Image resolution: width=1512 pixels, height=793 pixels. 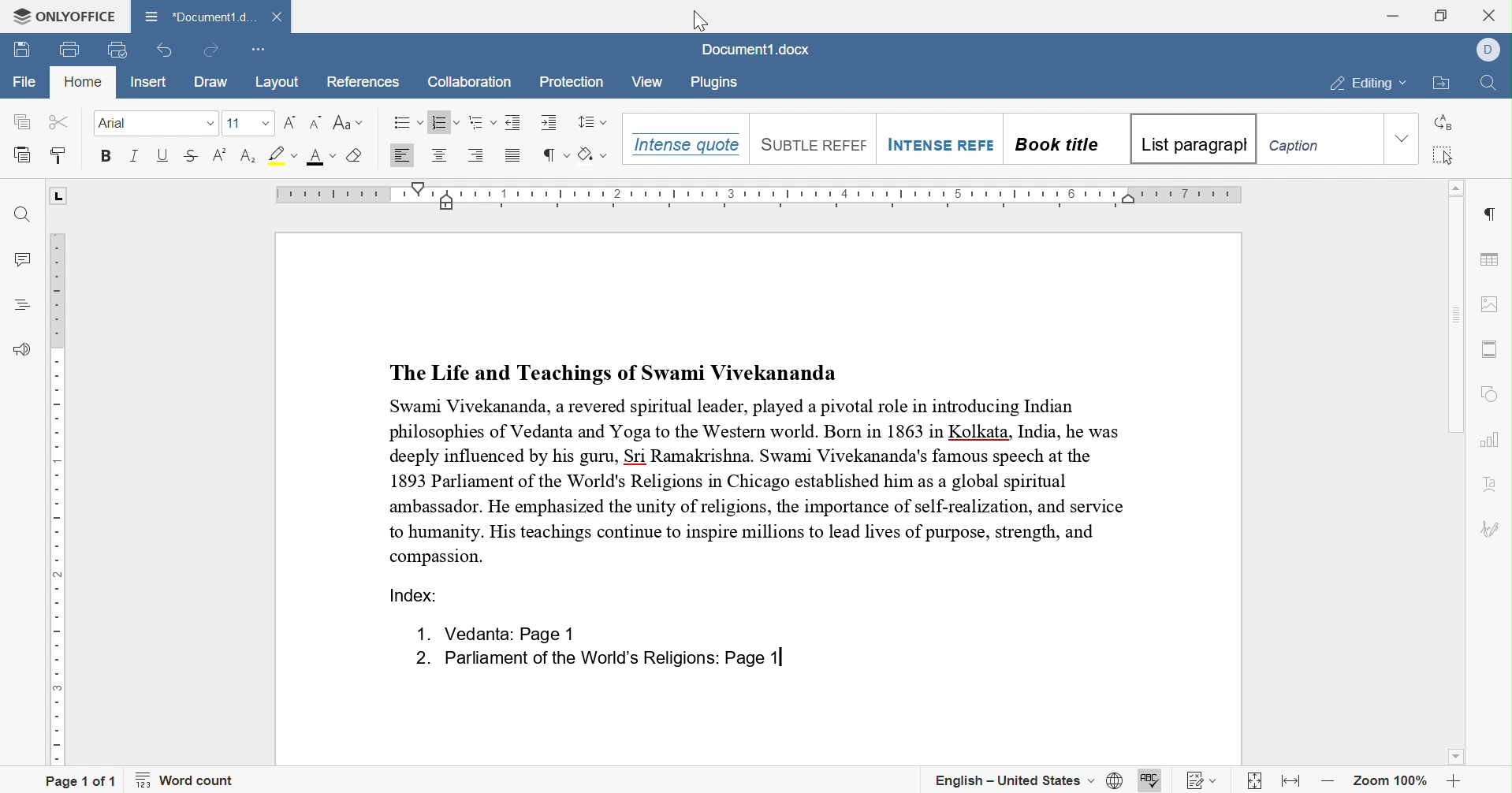 I want to click on find, so click(x=22, y=215).